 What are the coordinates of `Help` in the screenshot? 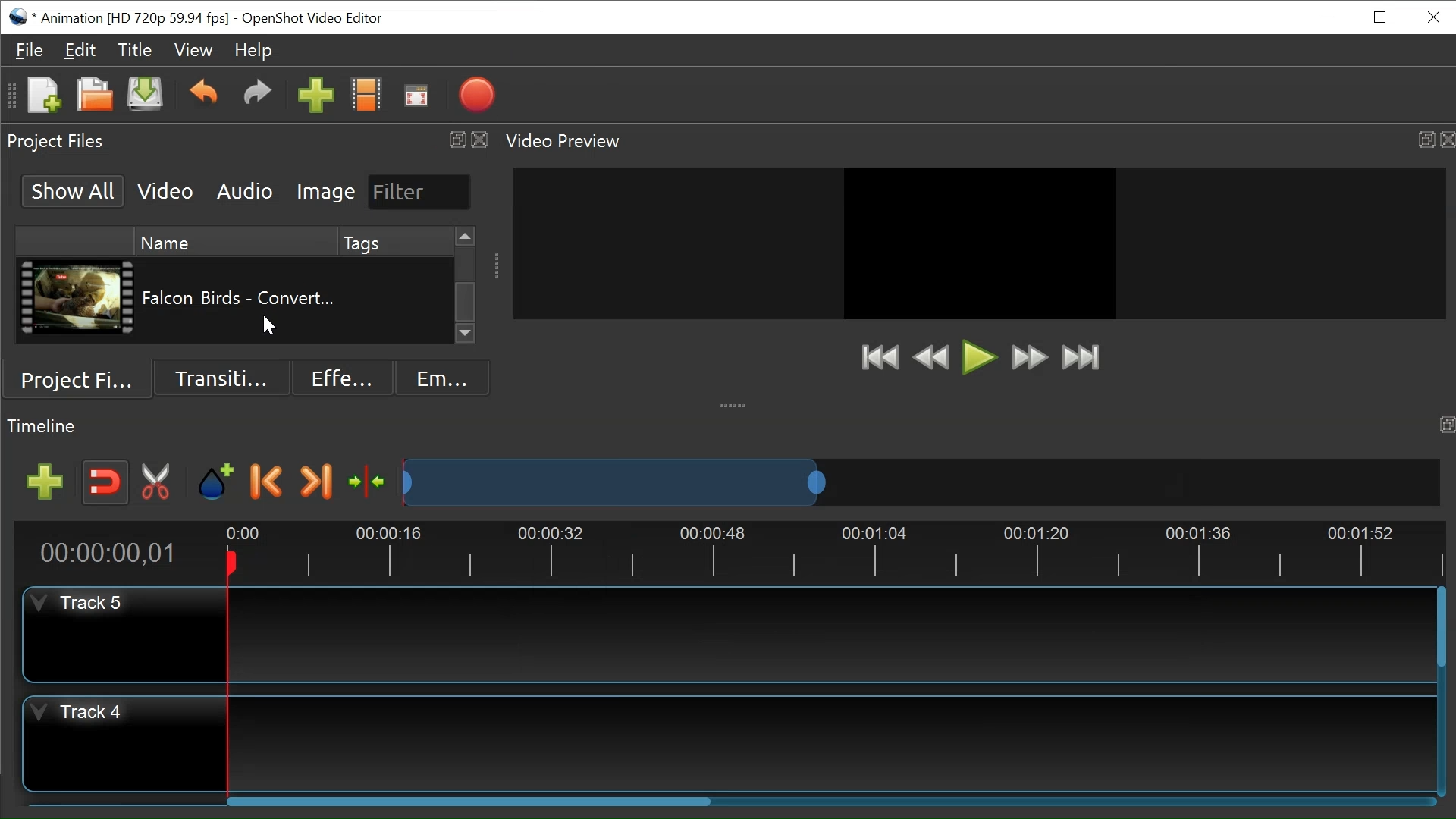 It's located at (252, 50).